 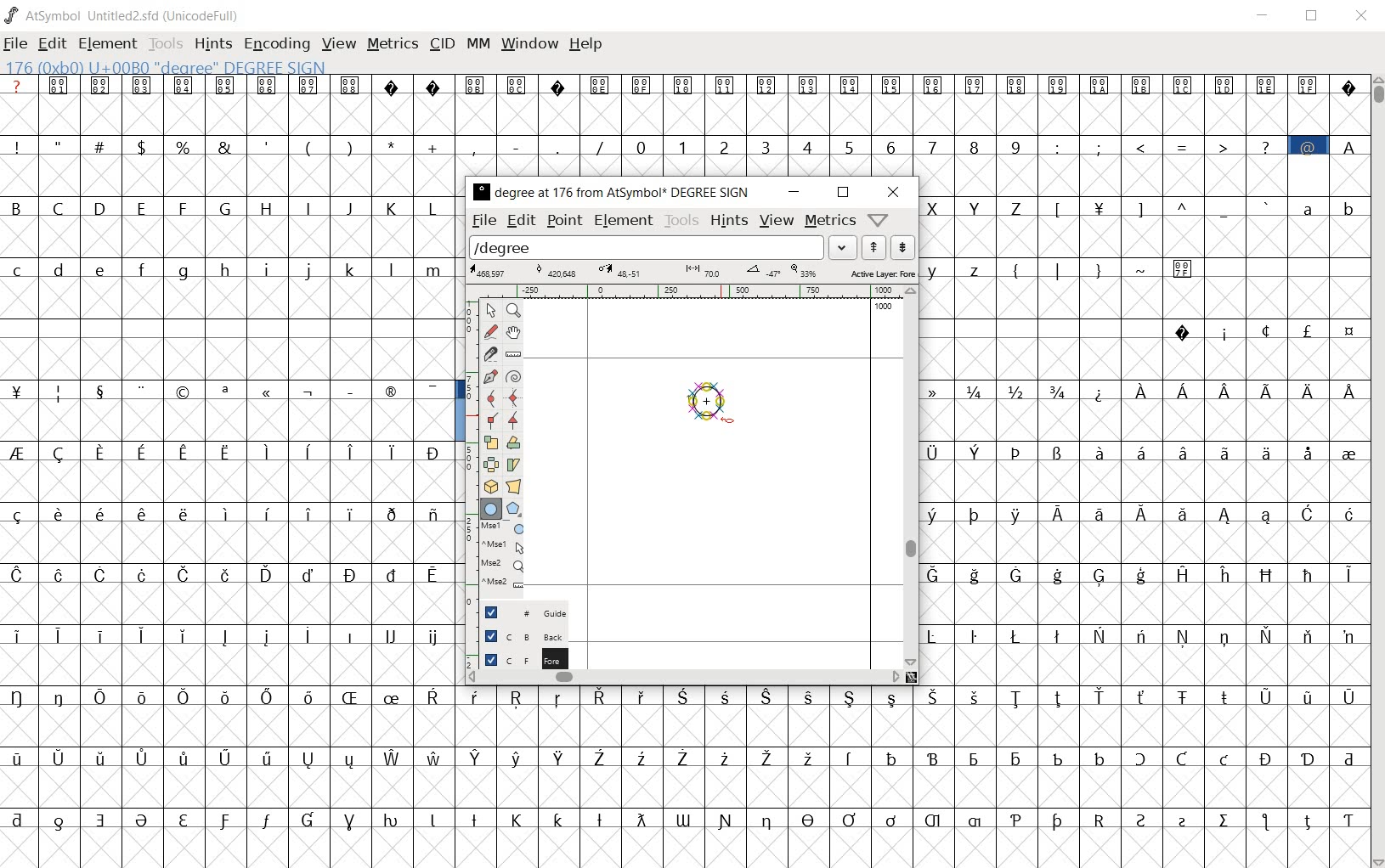 I want to click on degree at 176 from AtSymbol Degree Sign, so click(x=610, y=194).